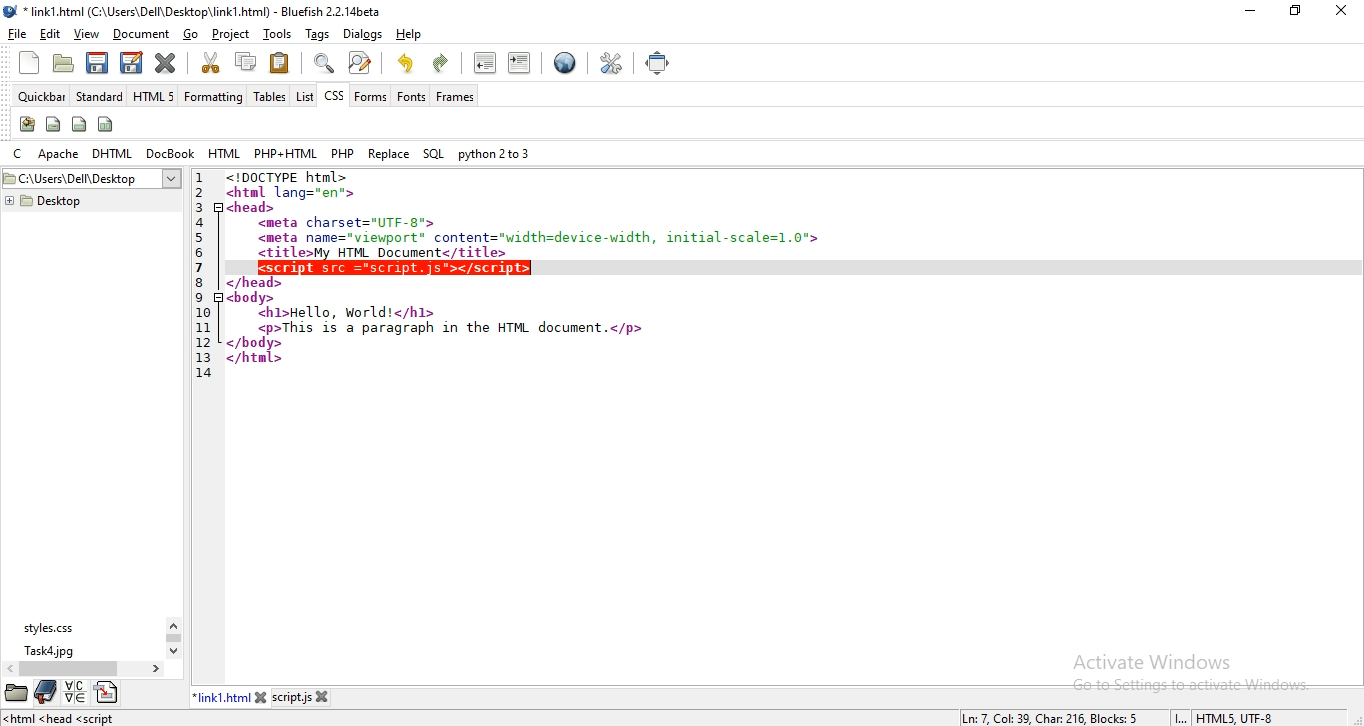 Image resolution: width=1364 pixels, height=726 pixels. What do you see at coordinates (61, 64) in the screenshot?
I see `open file` at bounding box center [61, 64].